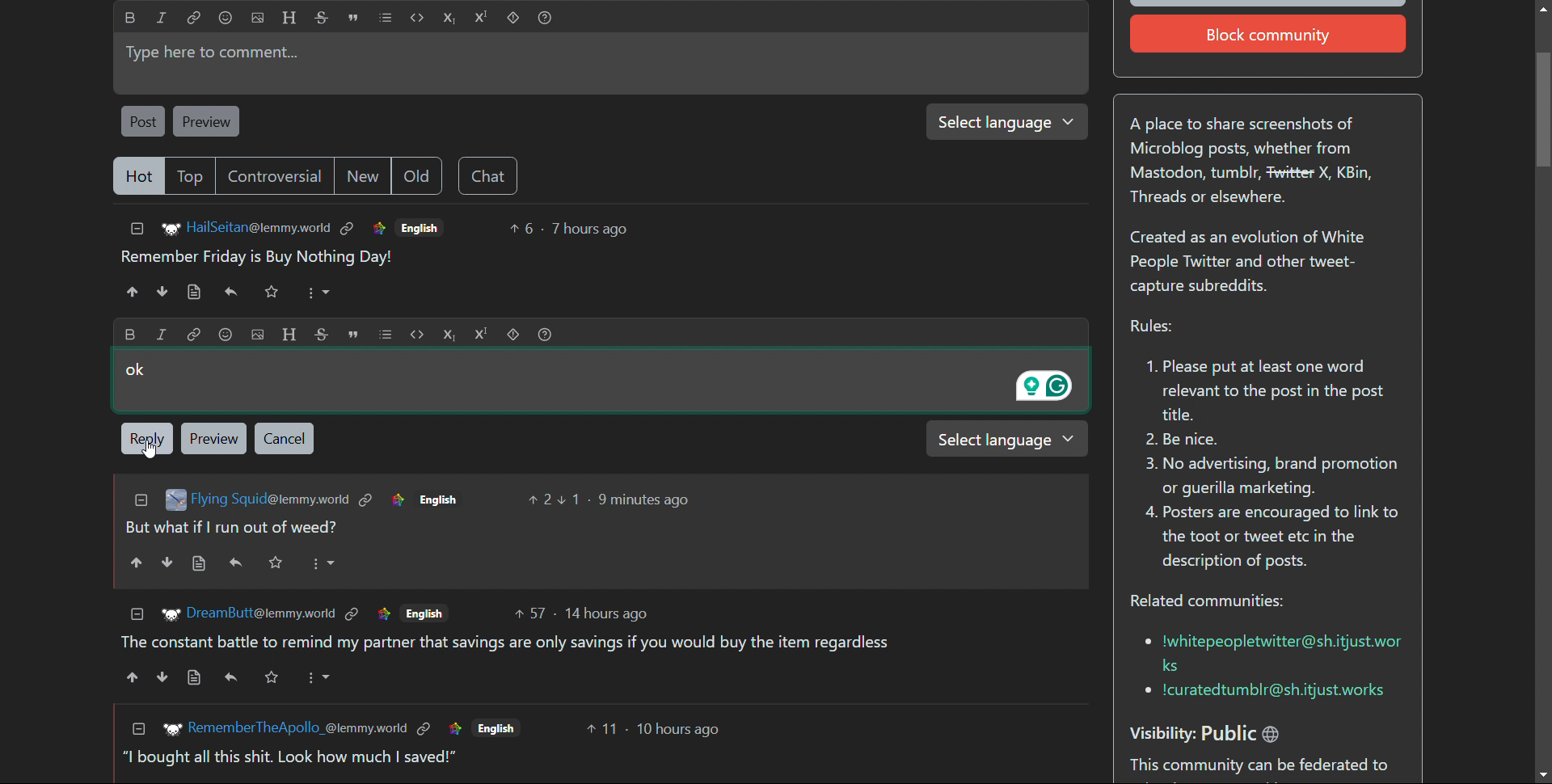 This screenshot has height=784, width=1552. Describe the element at coordinates (257, 333) in the screenshot. I see `upload image` at that location.